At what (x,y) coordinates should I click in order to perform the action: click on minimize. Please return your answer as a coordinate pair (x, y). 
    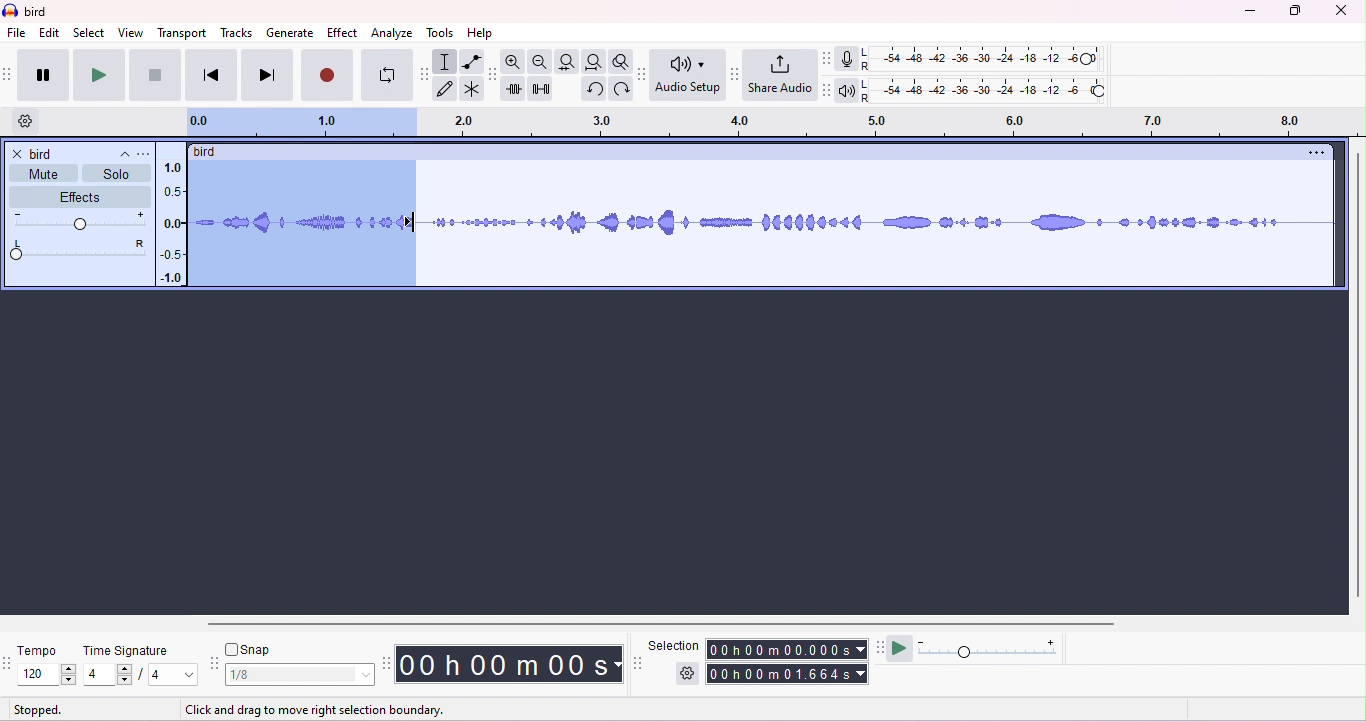
    Looking at the image, I should click on (1247, 13).